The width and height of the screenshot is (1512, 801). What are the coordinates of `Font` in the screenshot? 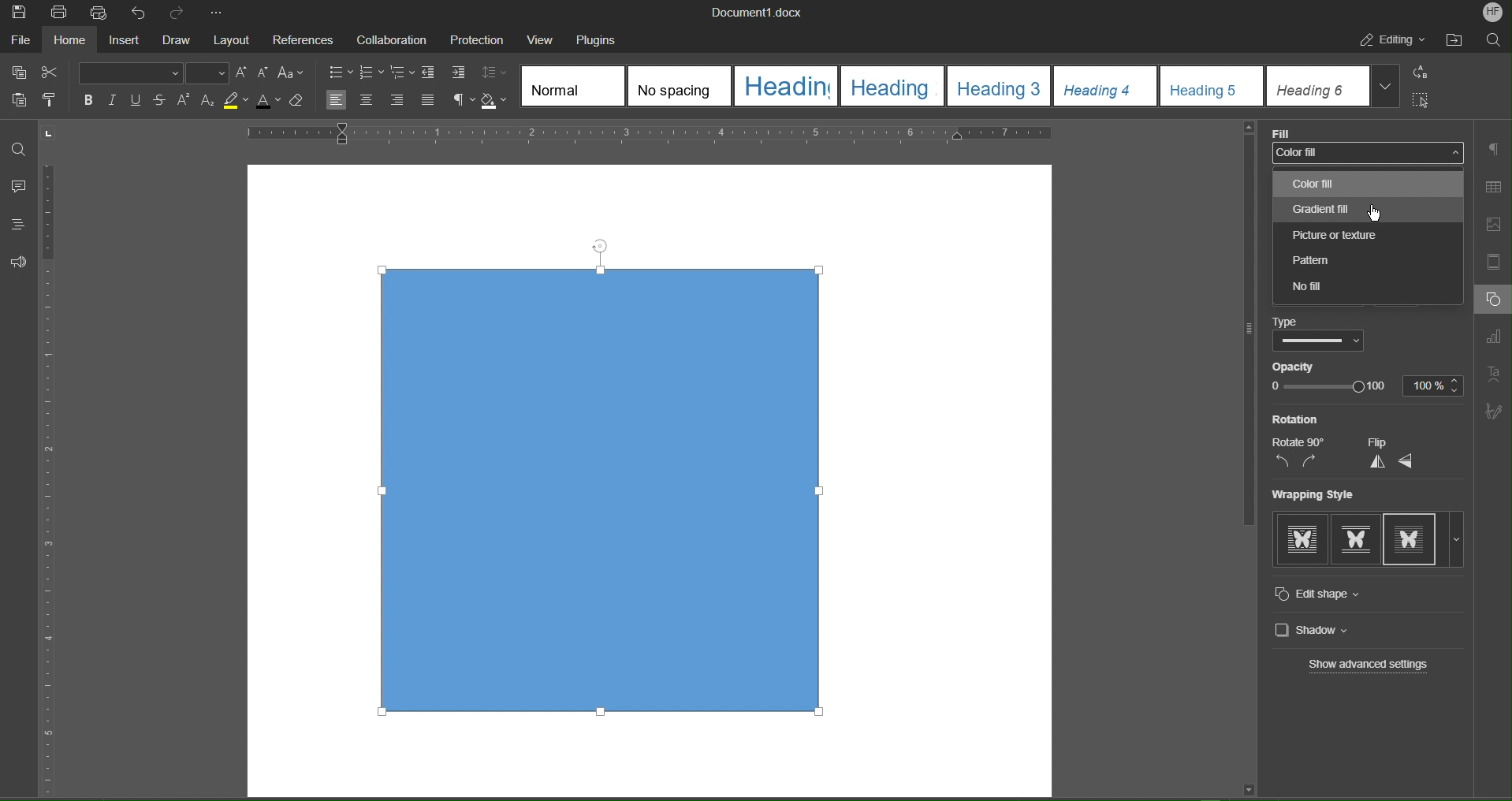 It's located at (129, 73).